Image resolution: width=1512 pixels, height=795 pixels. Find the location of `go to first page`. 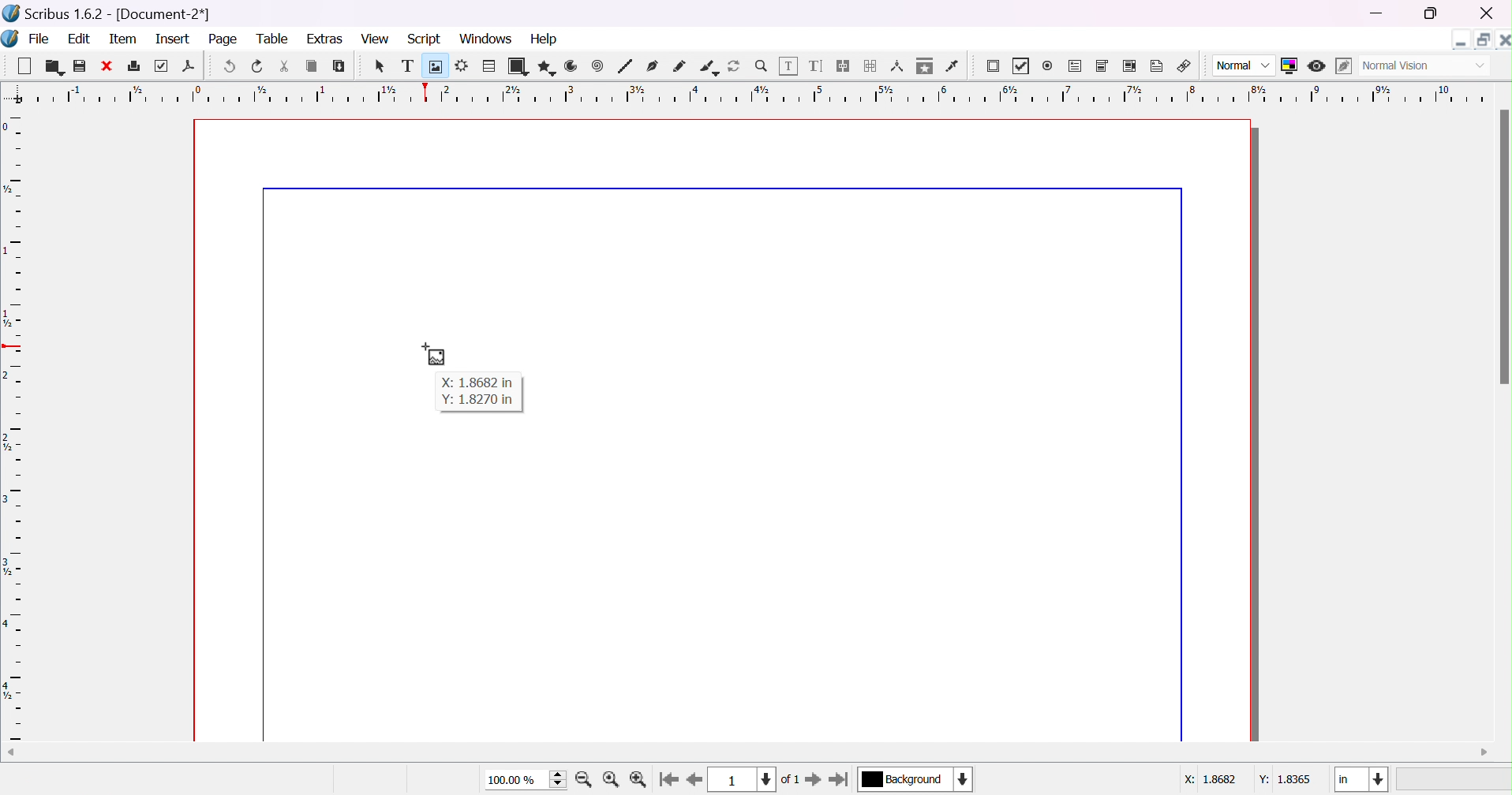

go to first page is located at coordinates (670, 779).